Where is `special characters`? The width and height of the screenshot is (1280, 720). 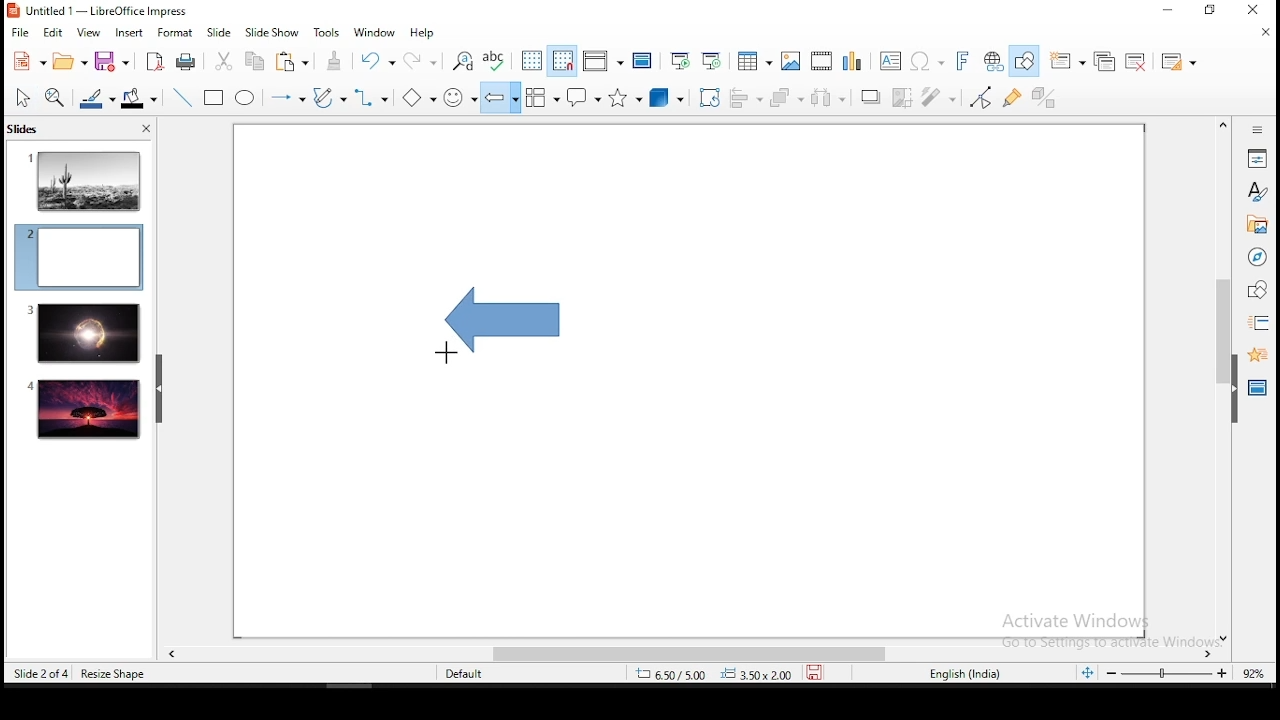
special characters is located at coordinates (924, 62).